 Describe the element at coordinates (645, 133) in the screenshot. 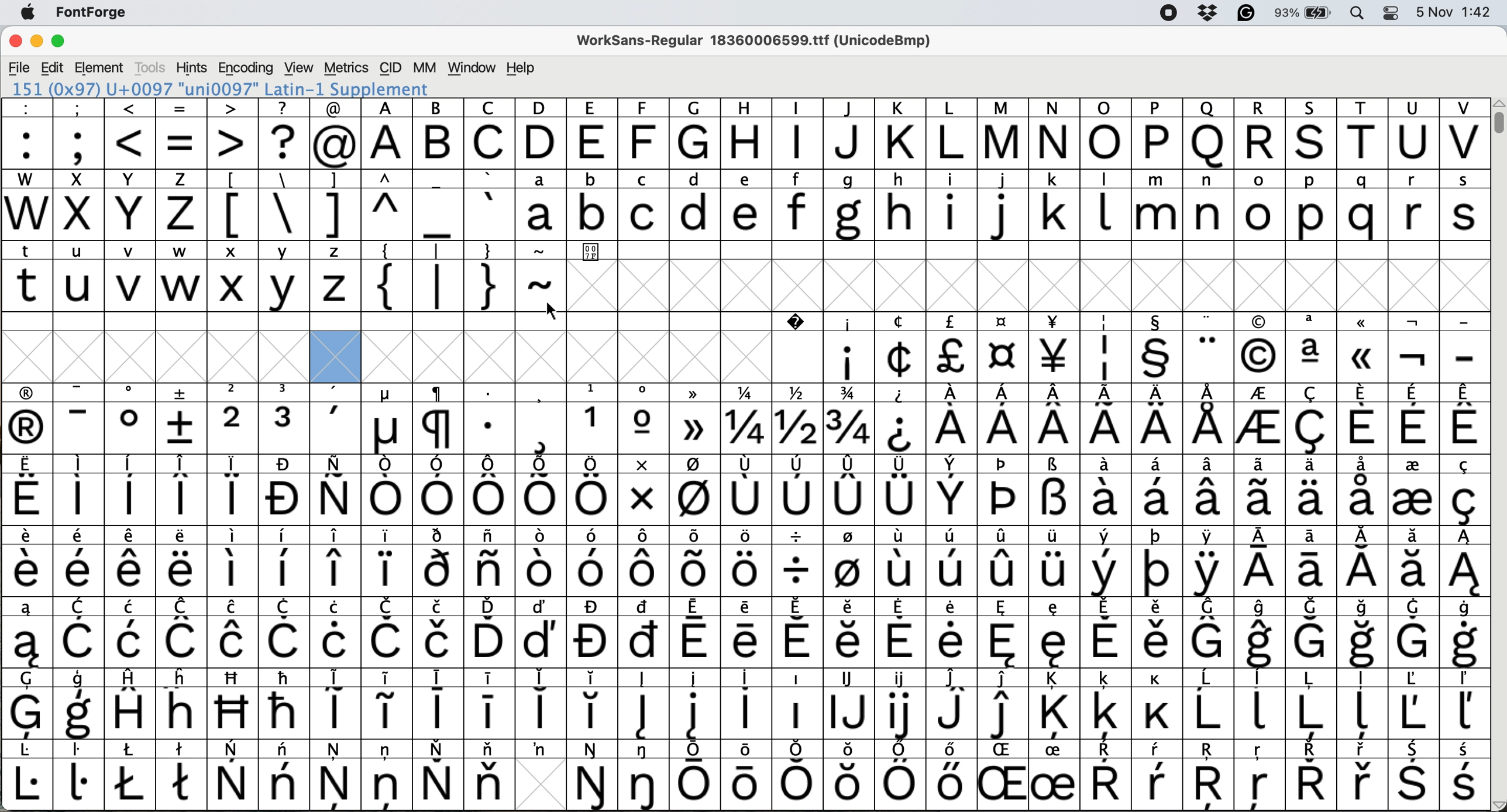

I see `` at that location.